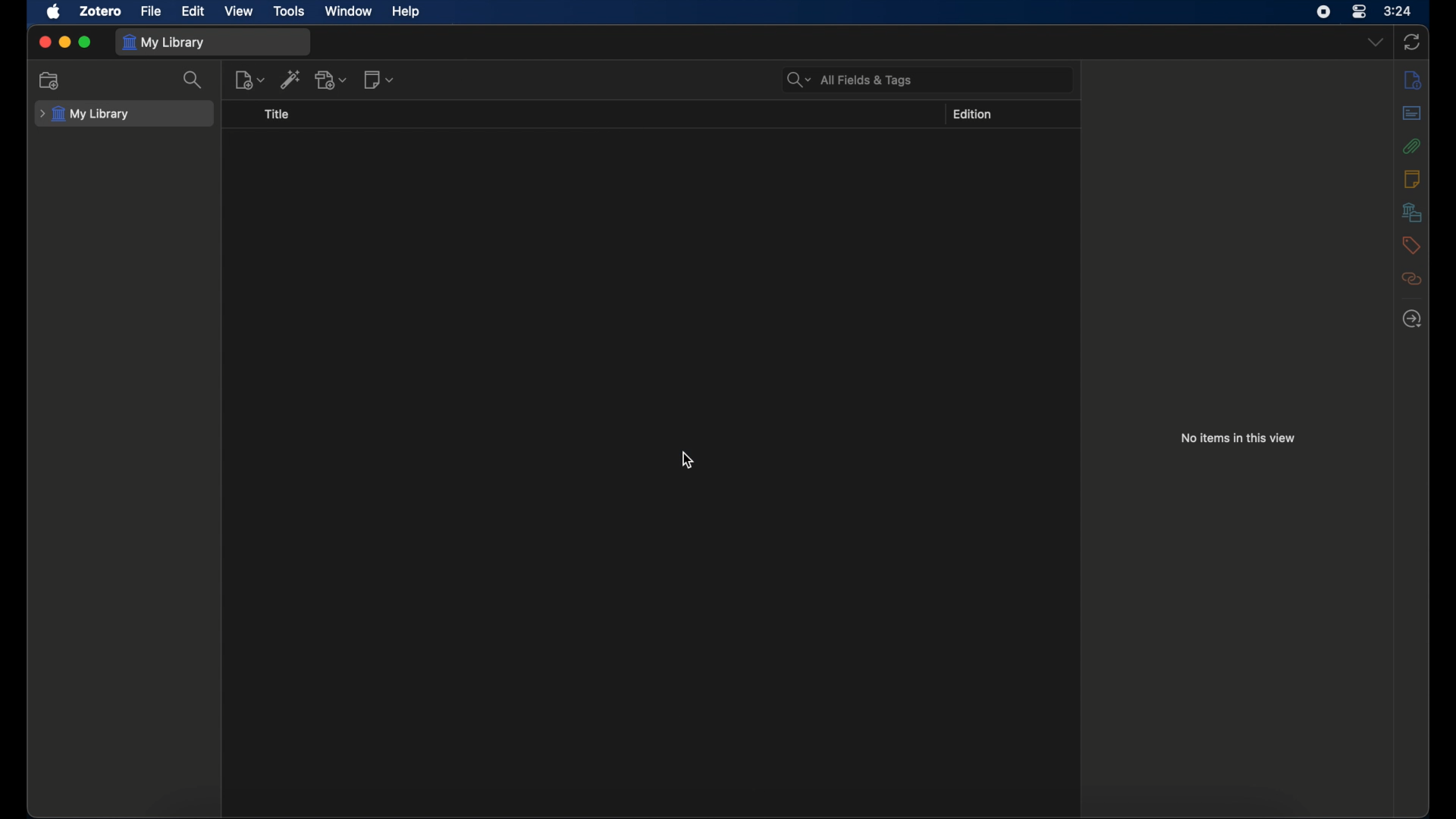 This screenshot has height=819, width=1456. I want to click on add attachments, so click(331, 79).